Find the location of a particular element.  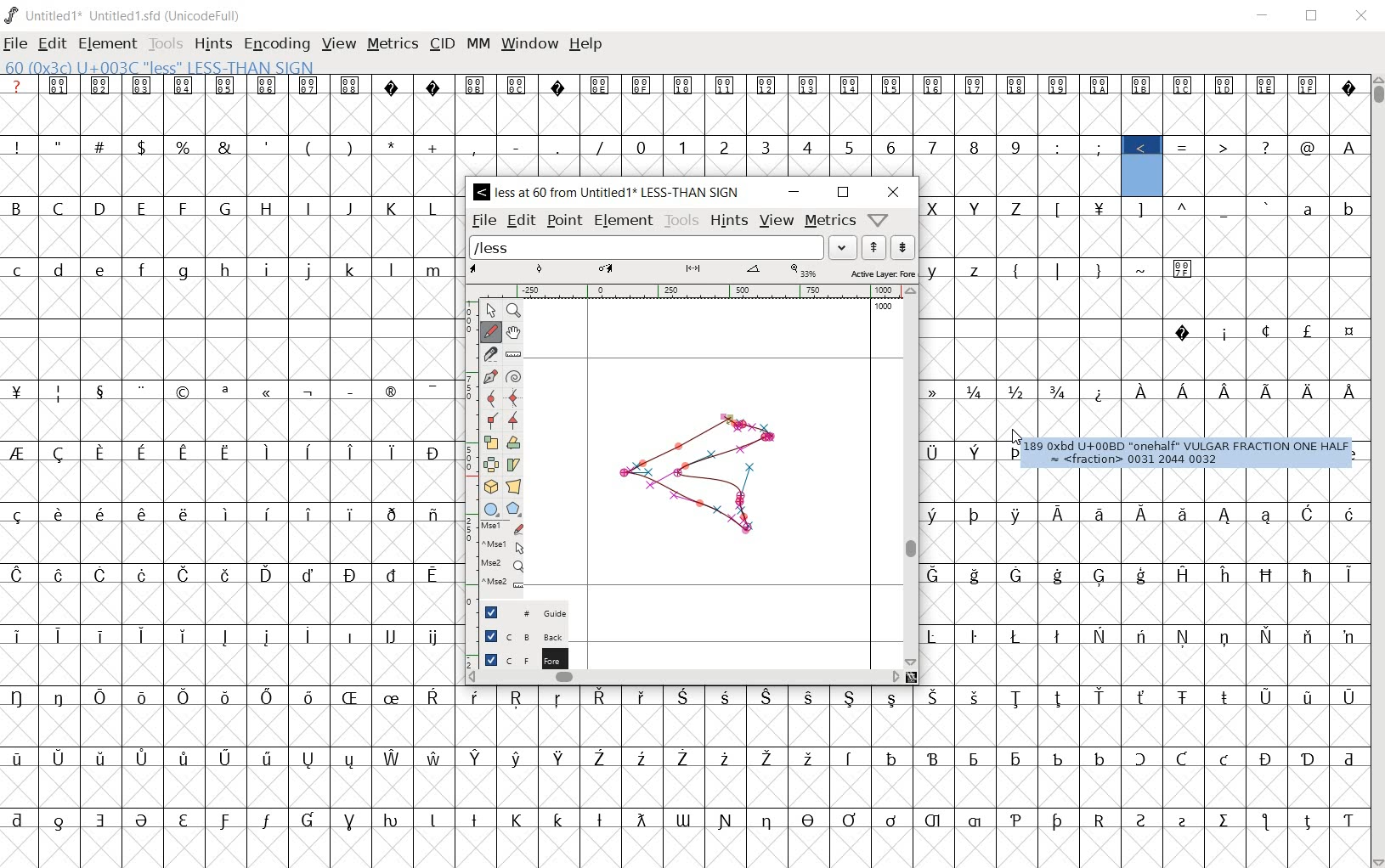

pointer is located at coordinates (490, 309).